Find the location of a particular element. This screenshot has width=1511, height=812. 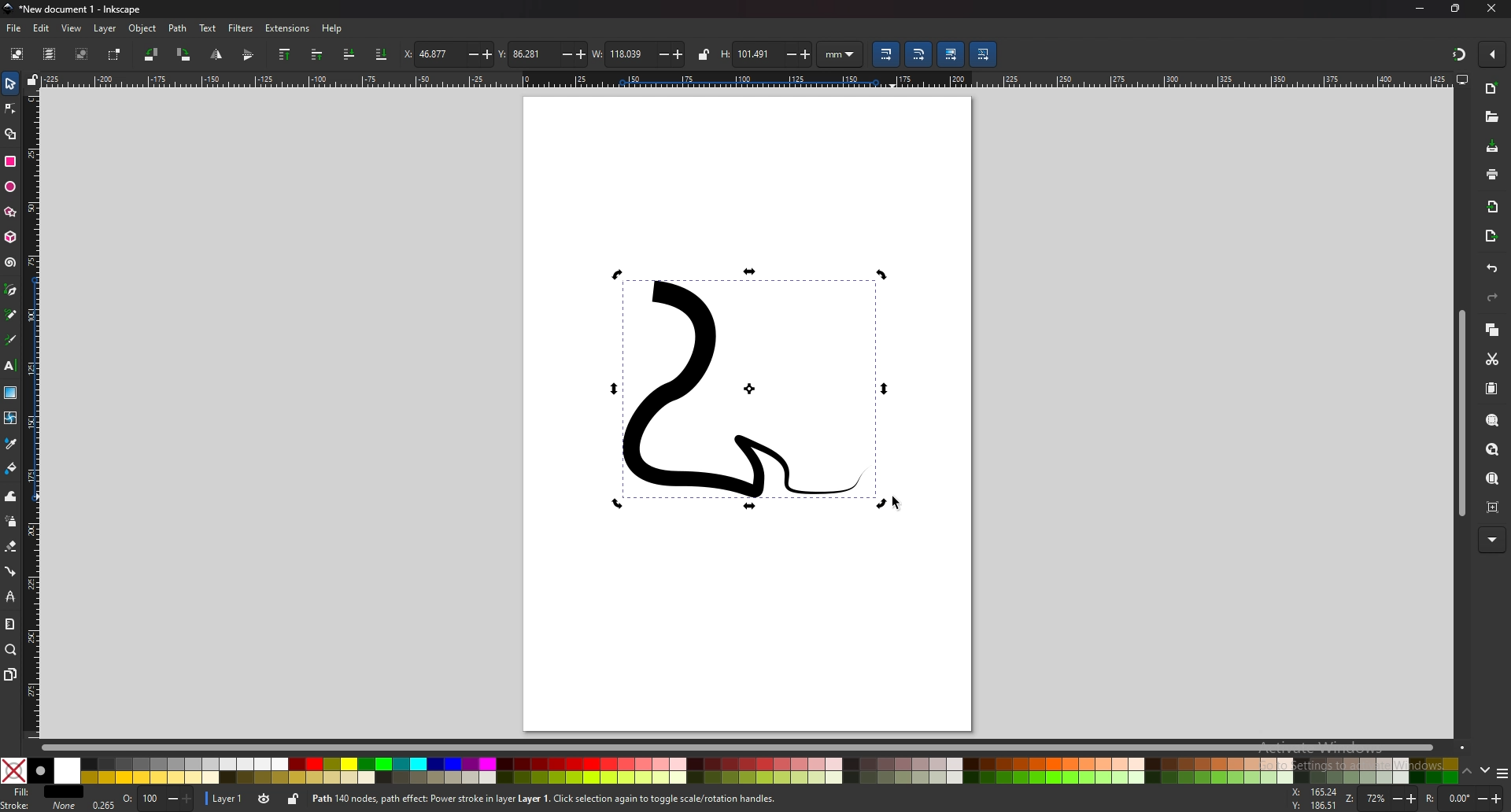

open is located at coordinates (1490, 116).